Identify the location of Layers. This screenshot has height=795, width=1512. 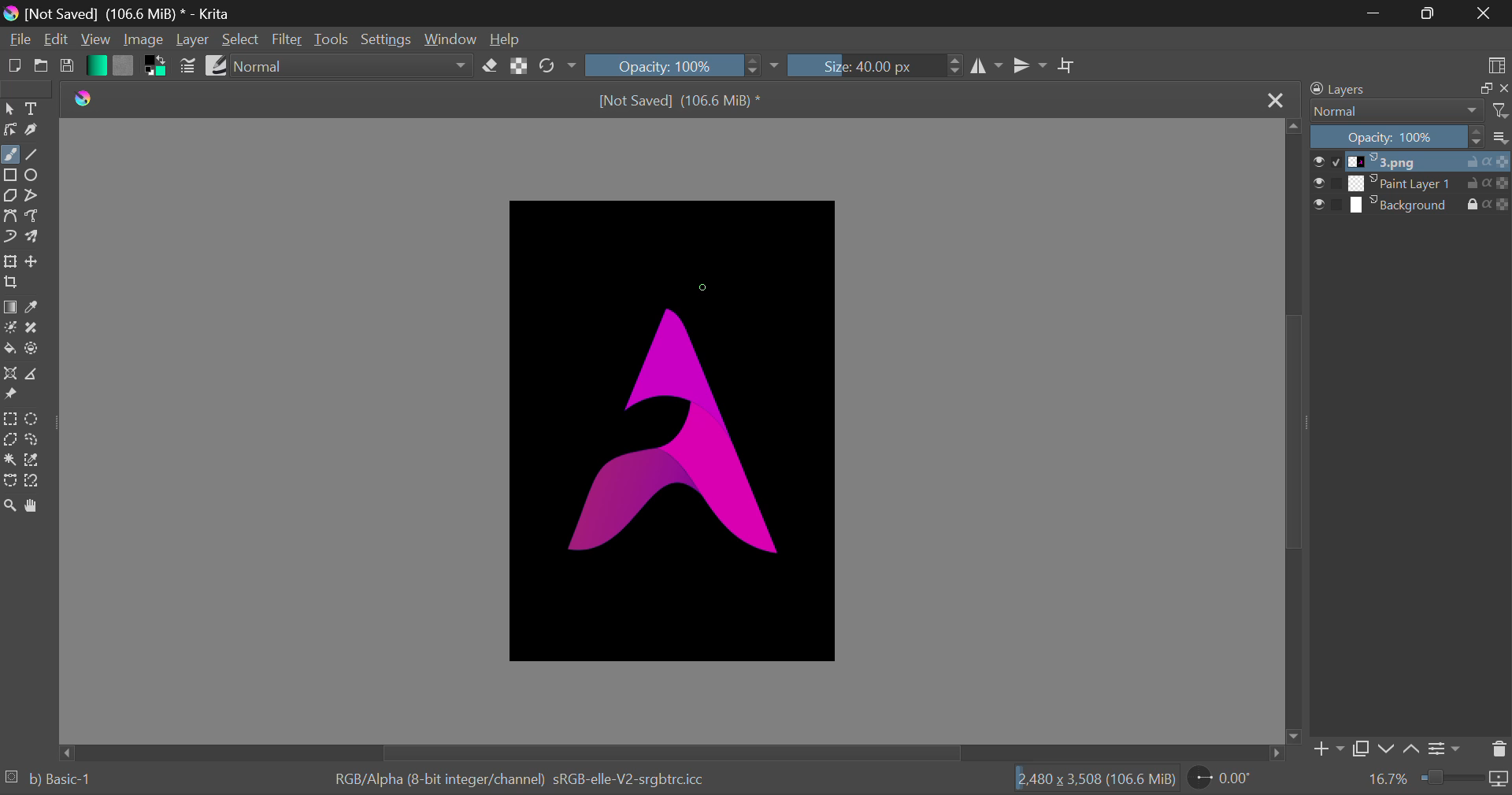
(1388, 89).